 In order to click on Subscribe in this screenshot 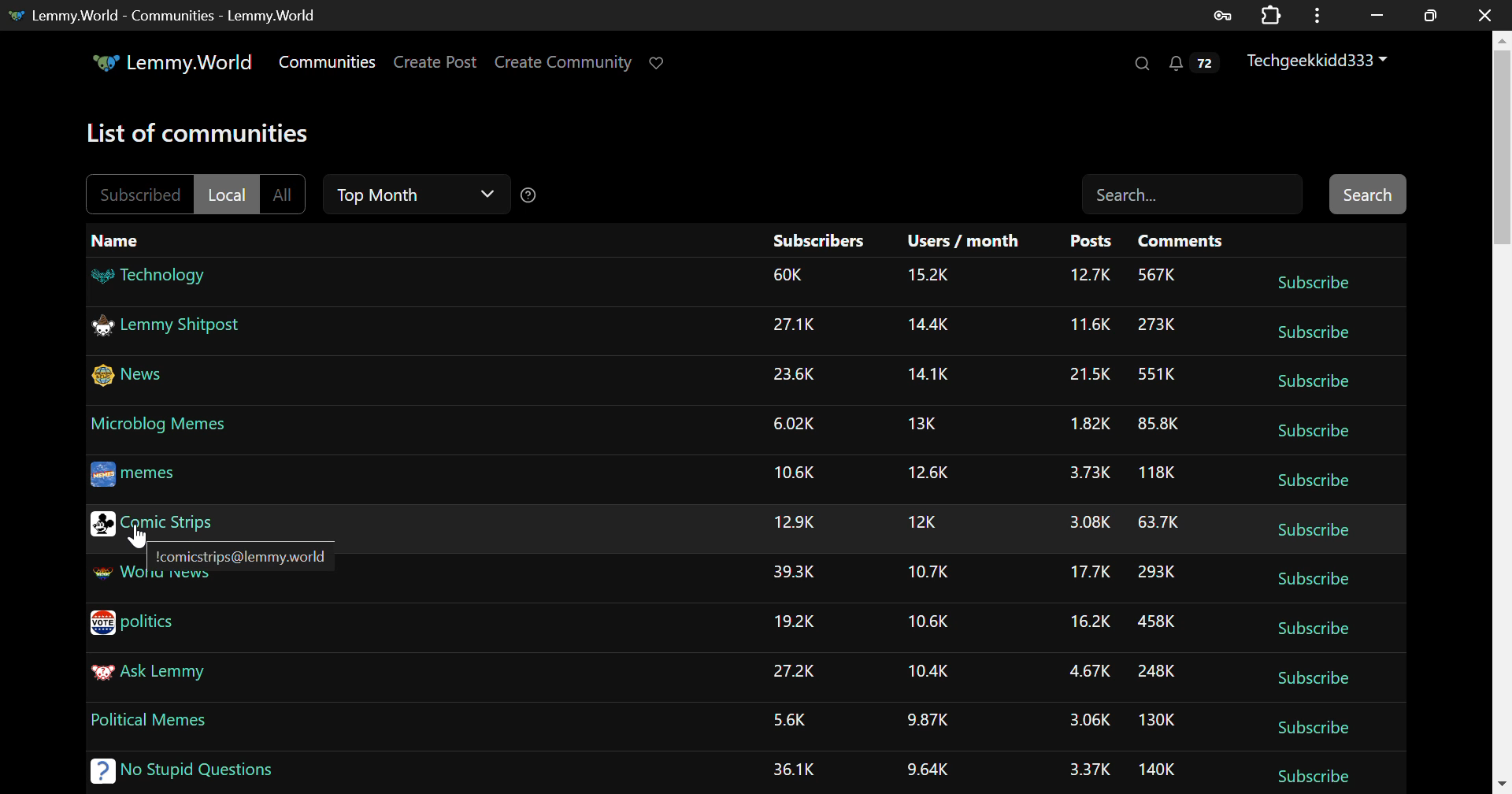, I will do `click(1317, 432)`.